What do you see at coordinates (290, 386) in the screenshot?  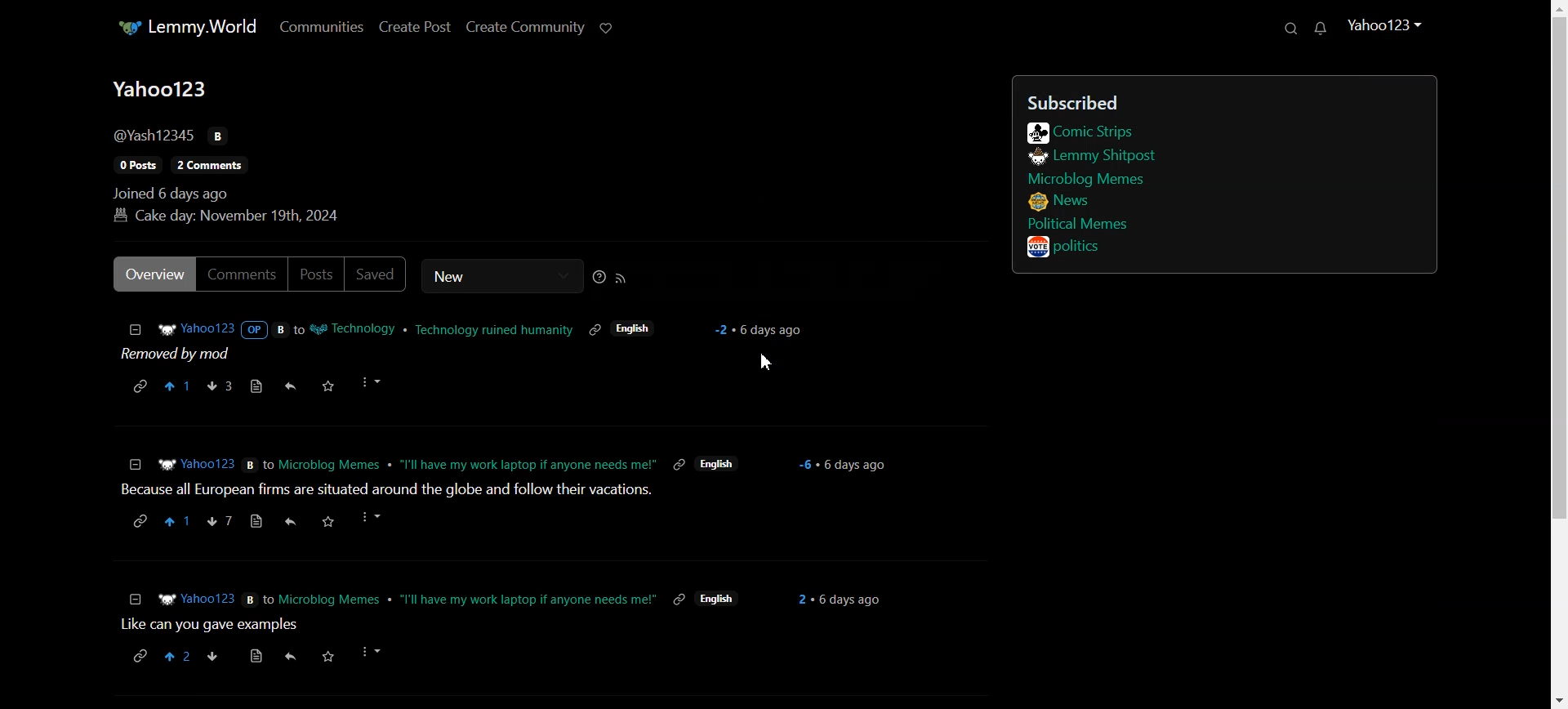 I see `Reply` at bounding box center [290, 386].